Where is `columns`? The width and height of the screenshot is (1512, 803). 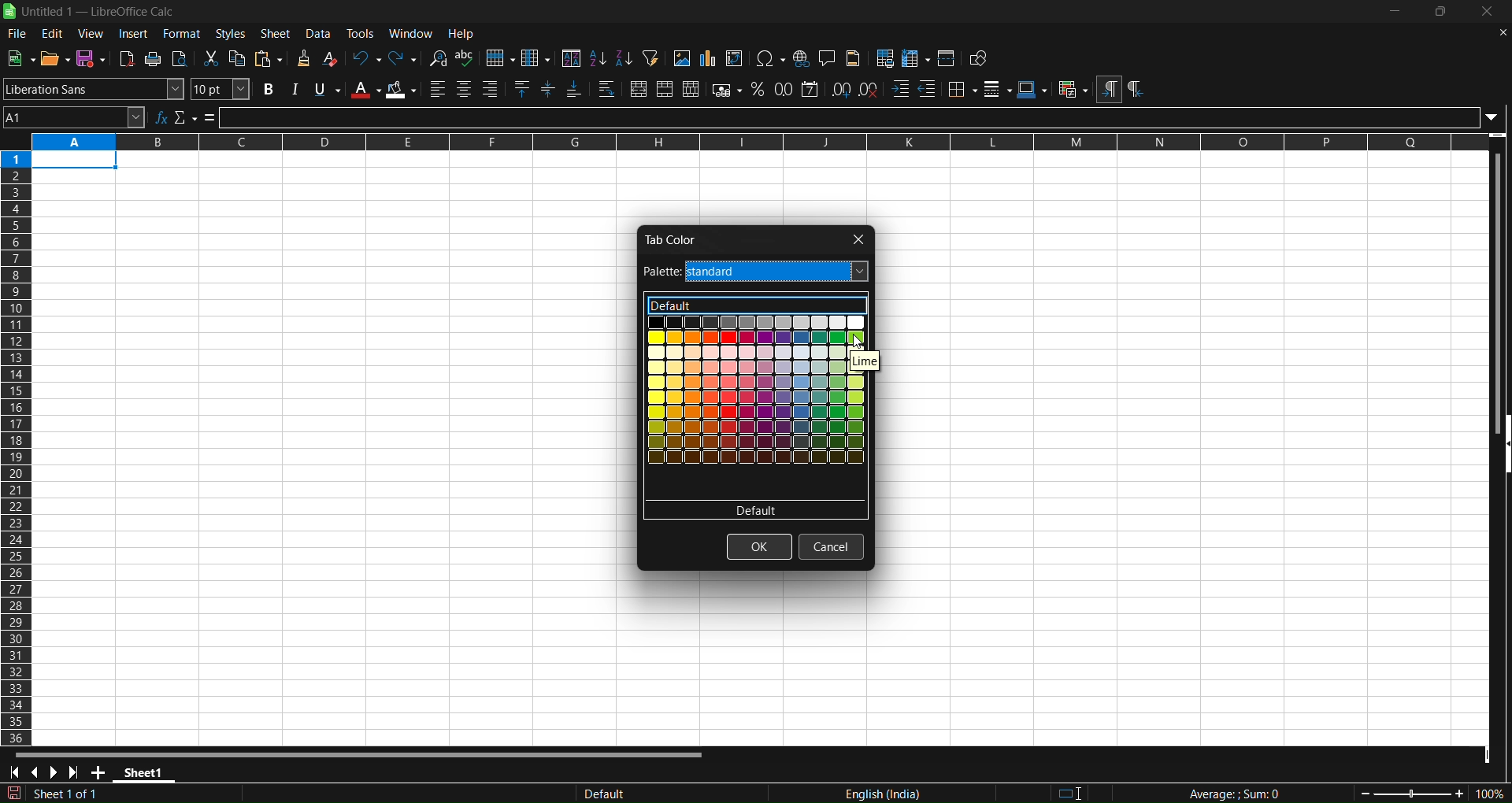 columns is located at coordinates (17, 444).